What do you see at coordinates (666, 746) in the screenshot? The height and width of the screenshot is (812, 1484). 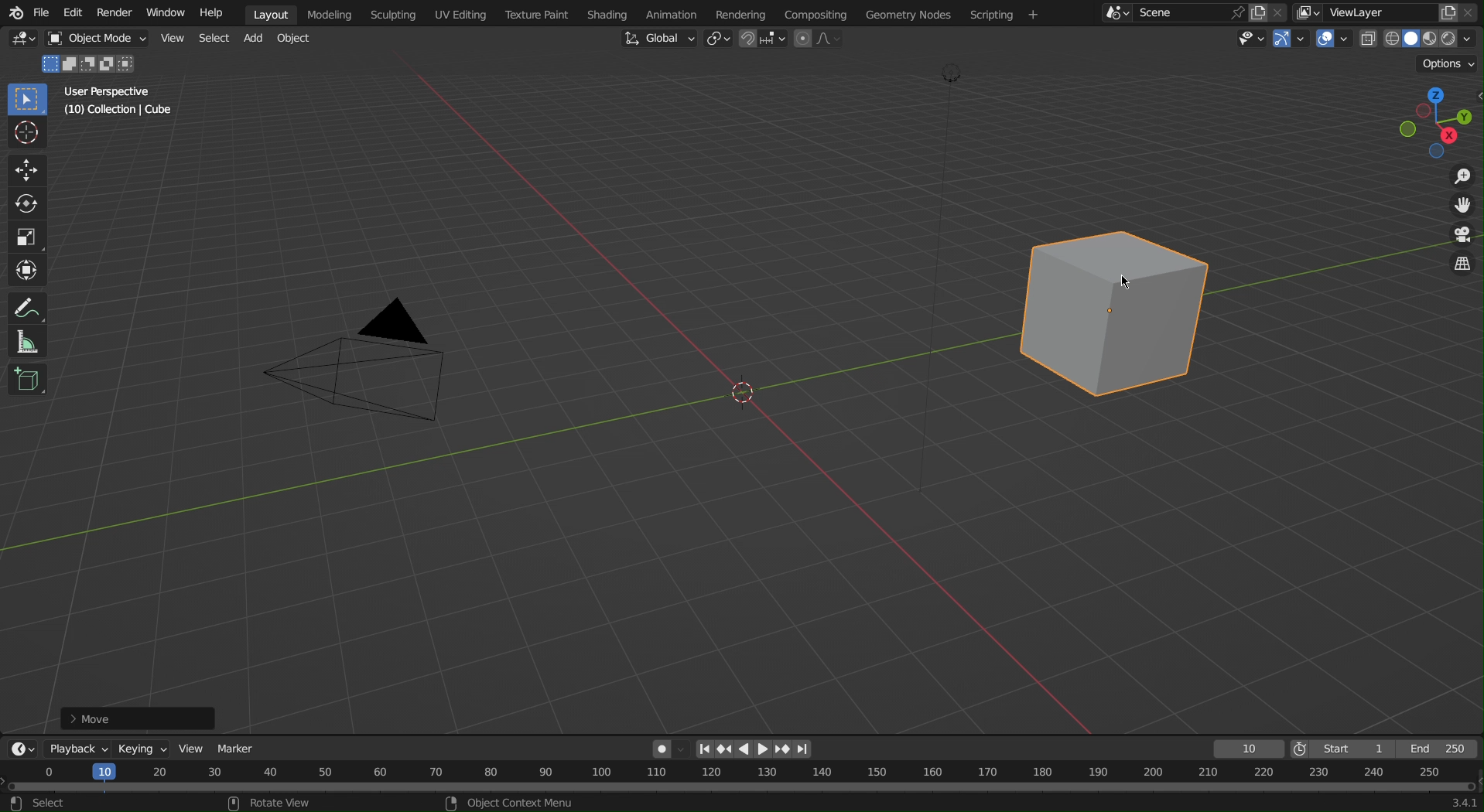 I see `Auto  Keying` at bounding box center [666, 746].